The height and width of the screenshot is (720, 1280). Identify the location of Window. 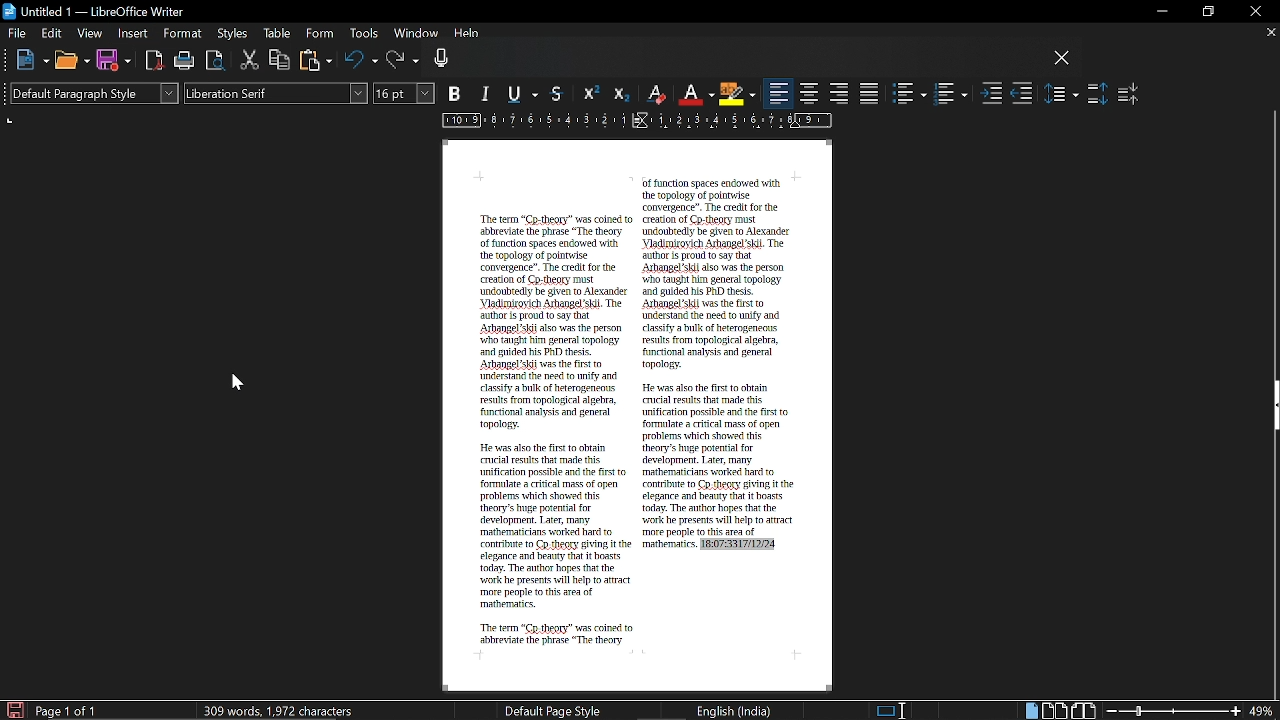
(414, 35).